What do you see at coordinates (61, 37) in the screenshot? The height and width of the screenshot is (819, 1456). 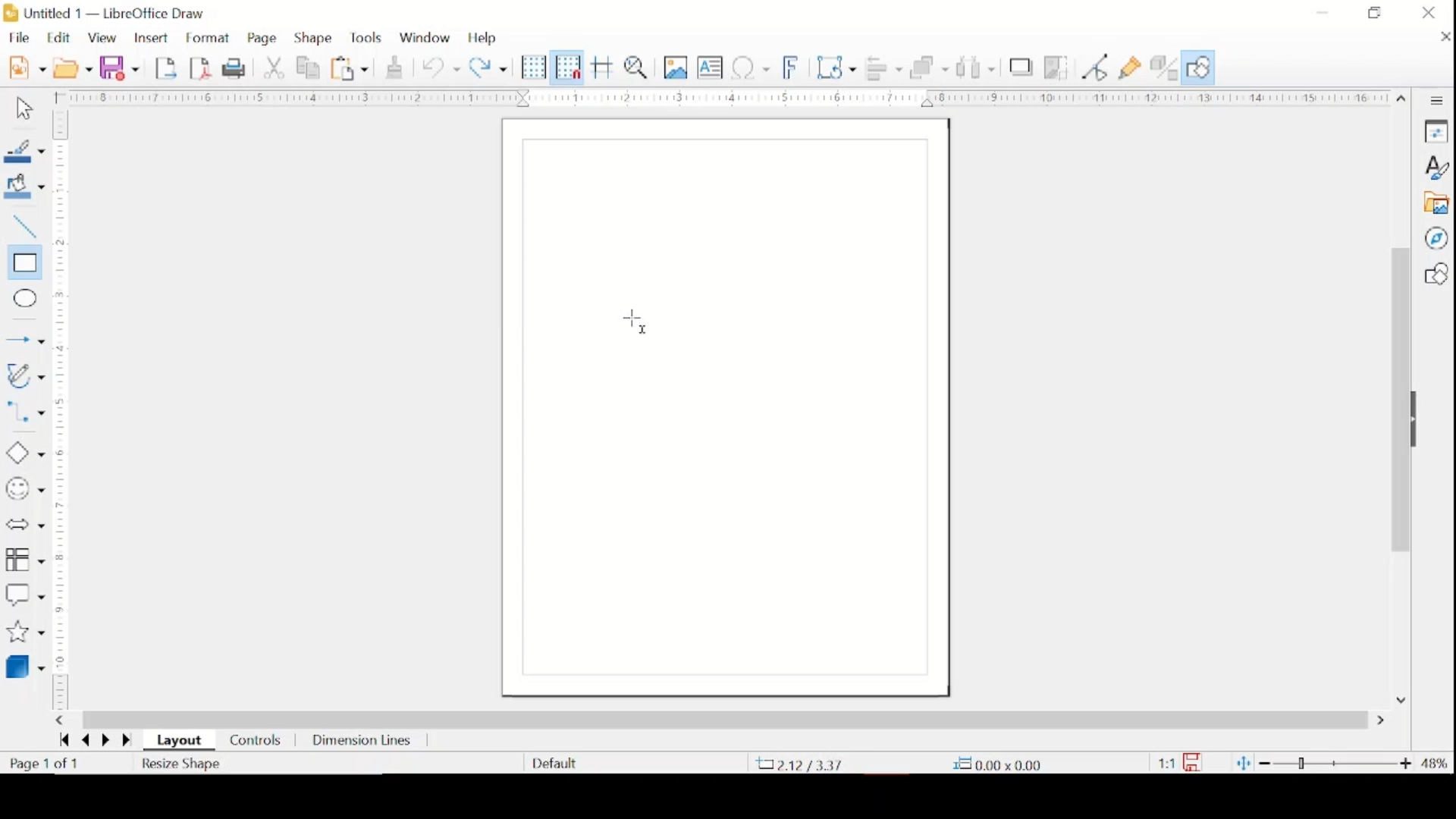 I see `edit` at bounding box center [61, 37].